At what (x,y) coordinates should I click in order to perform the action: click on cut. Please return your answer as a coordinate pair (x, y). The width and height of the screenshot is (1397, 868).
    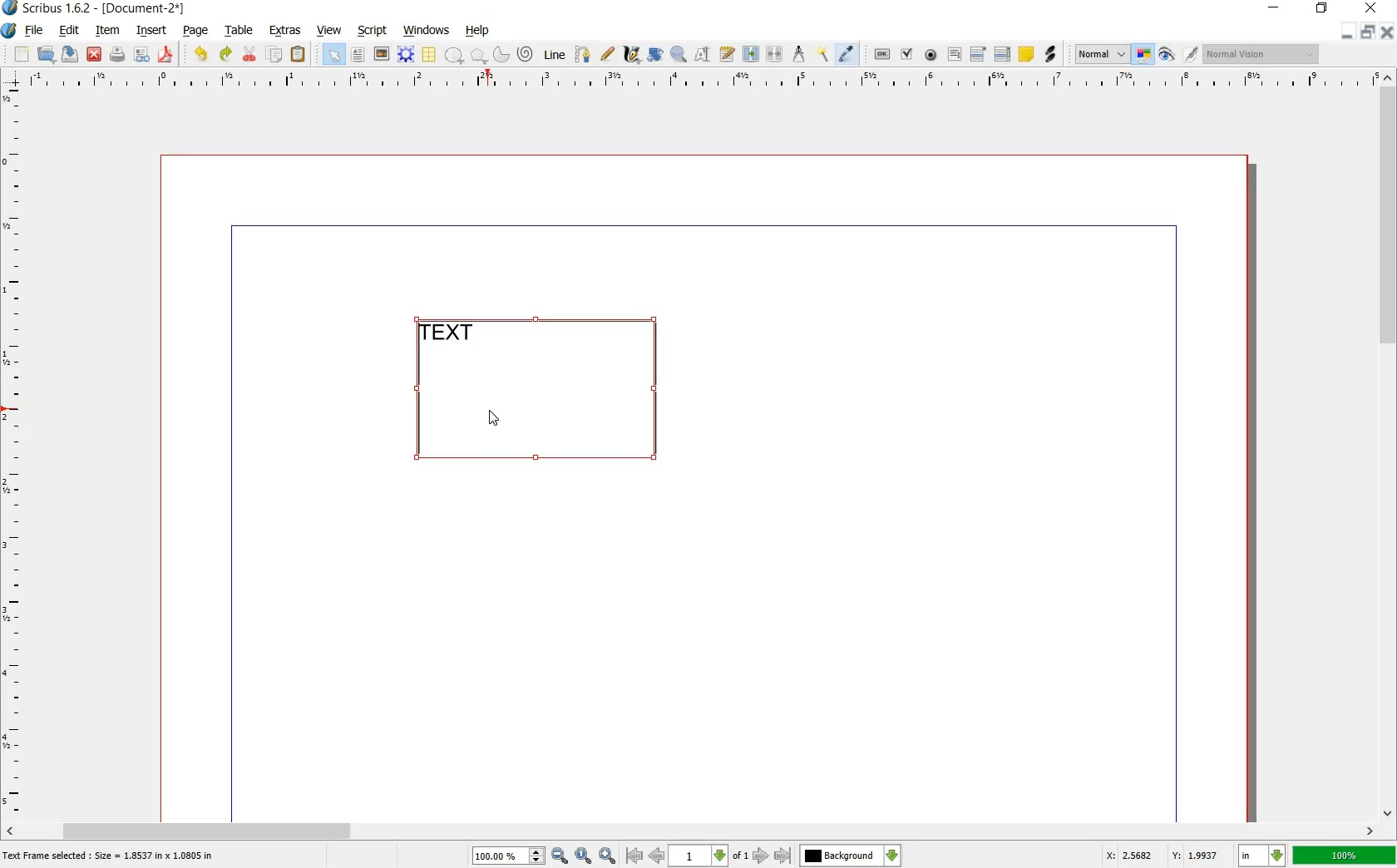
    Looking at the image, I should click on (250, 55).